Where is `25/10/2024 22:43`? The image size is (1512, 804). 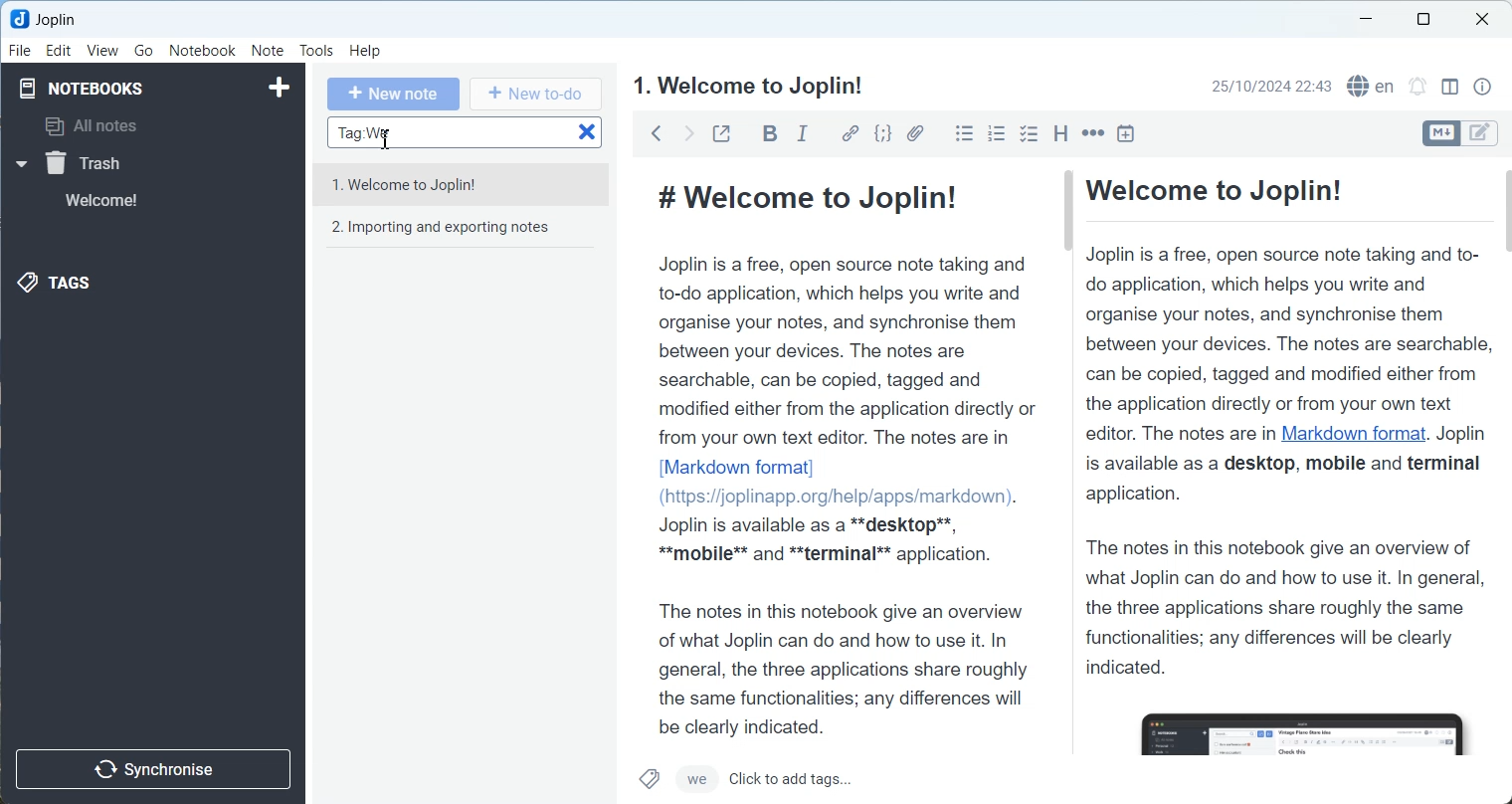
25/10/2024 22:43 is located at coordinates (1271, 86).